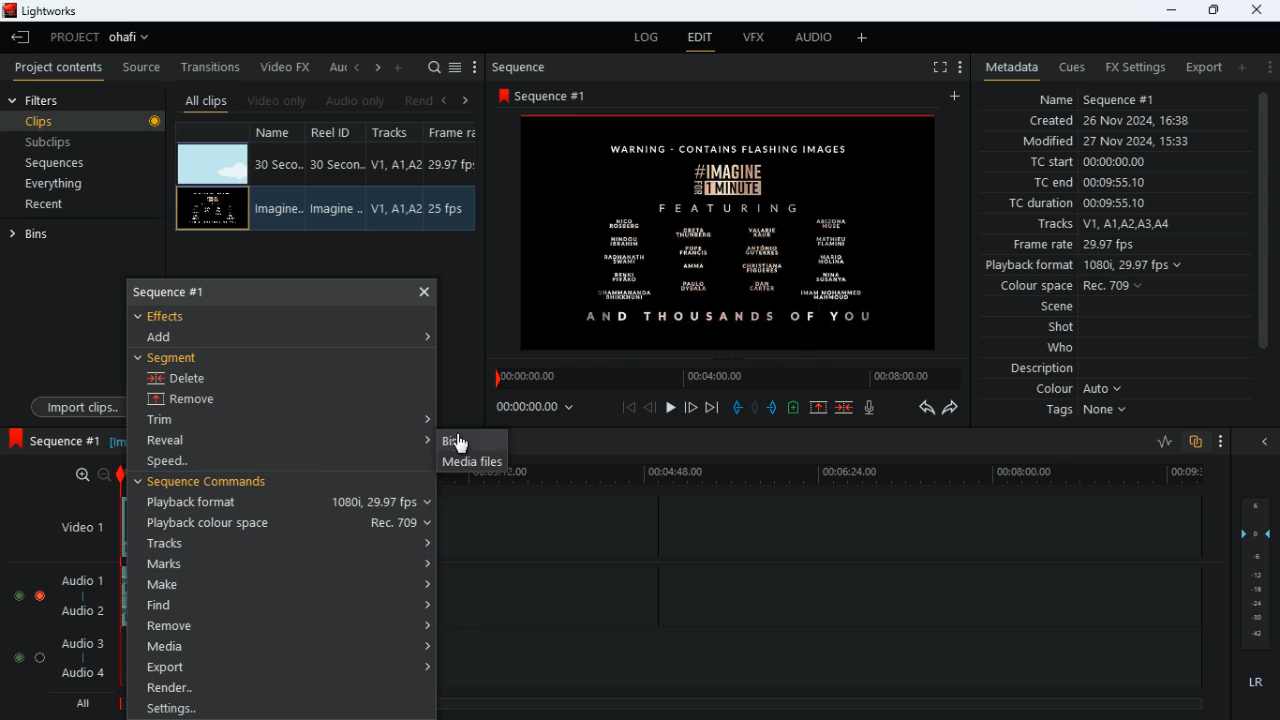  I want to click on zoom, so click(92, 474).